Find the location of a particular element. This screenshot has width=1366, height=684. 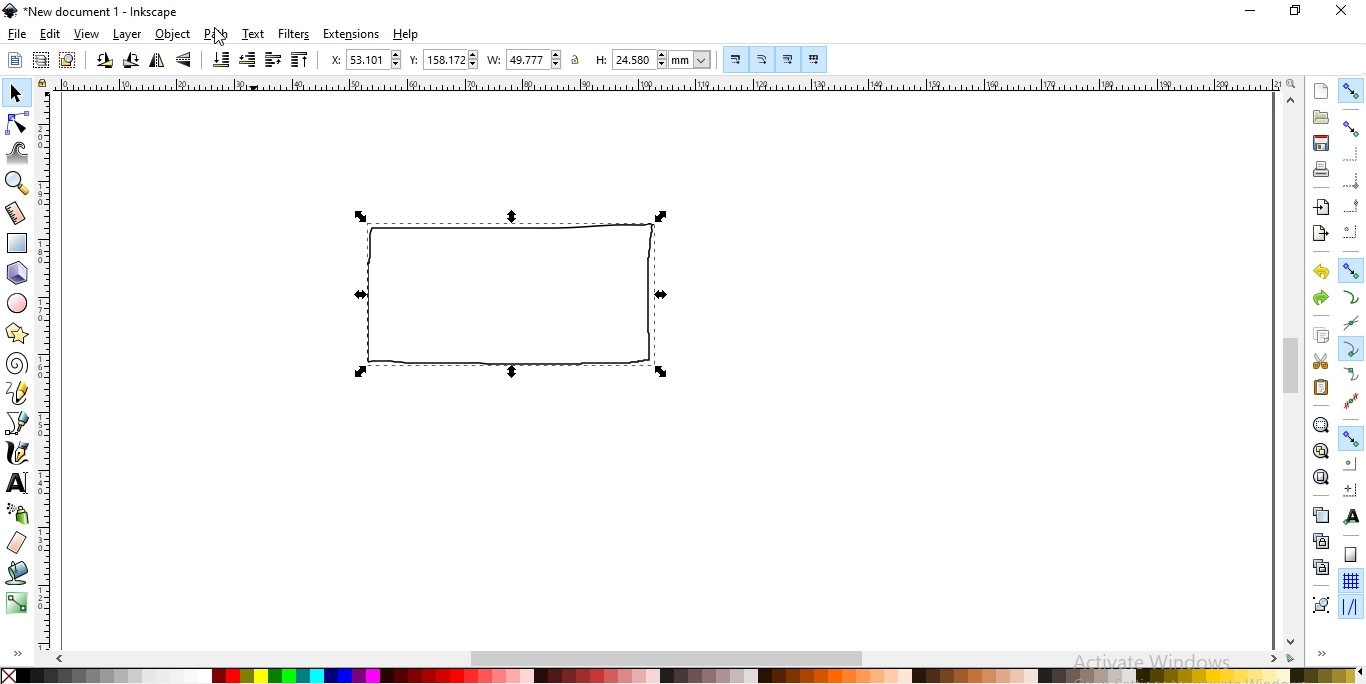

snap nodes, paths and handles is located at coordinates (1351, 271).